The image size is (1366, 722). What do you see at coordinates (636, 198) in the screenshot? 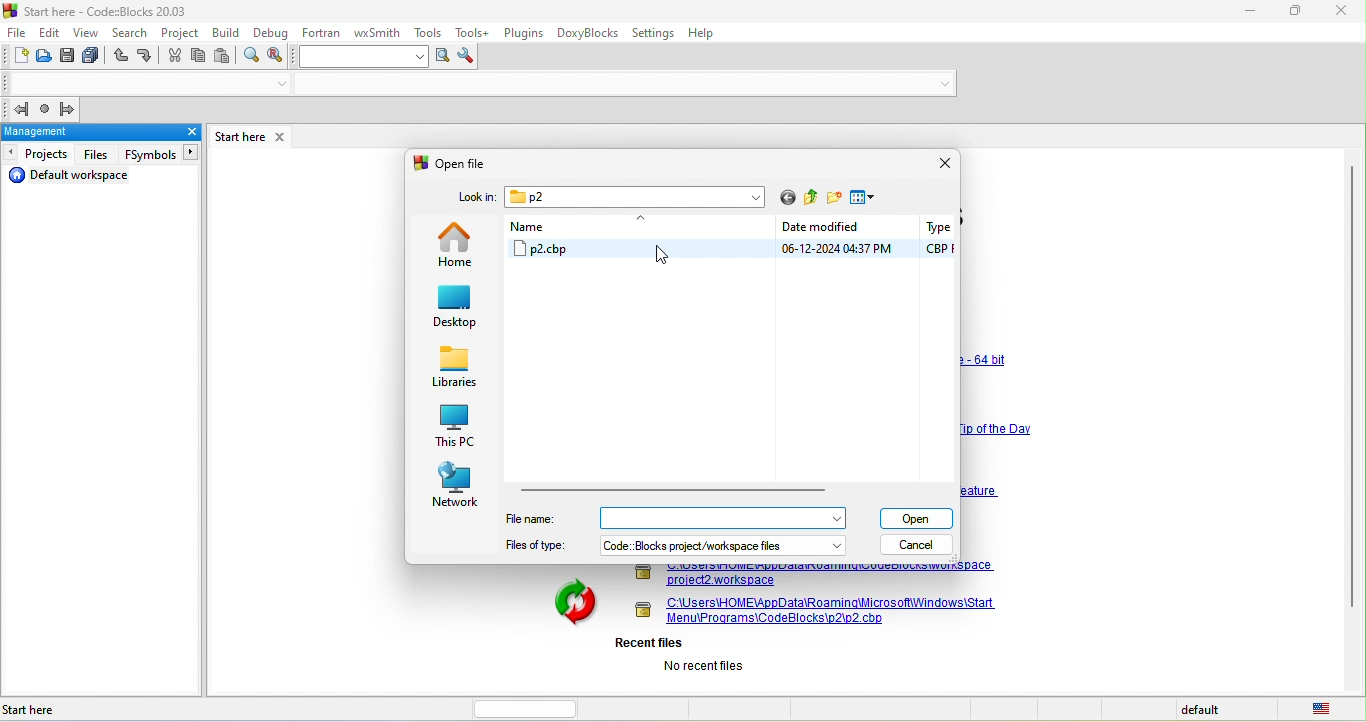
I see `p2` at bounding box center [636, 198].